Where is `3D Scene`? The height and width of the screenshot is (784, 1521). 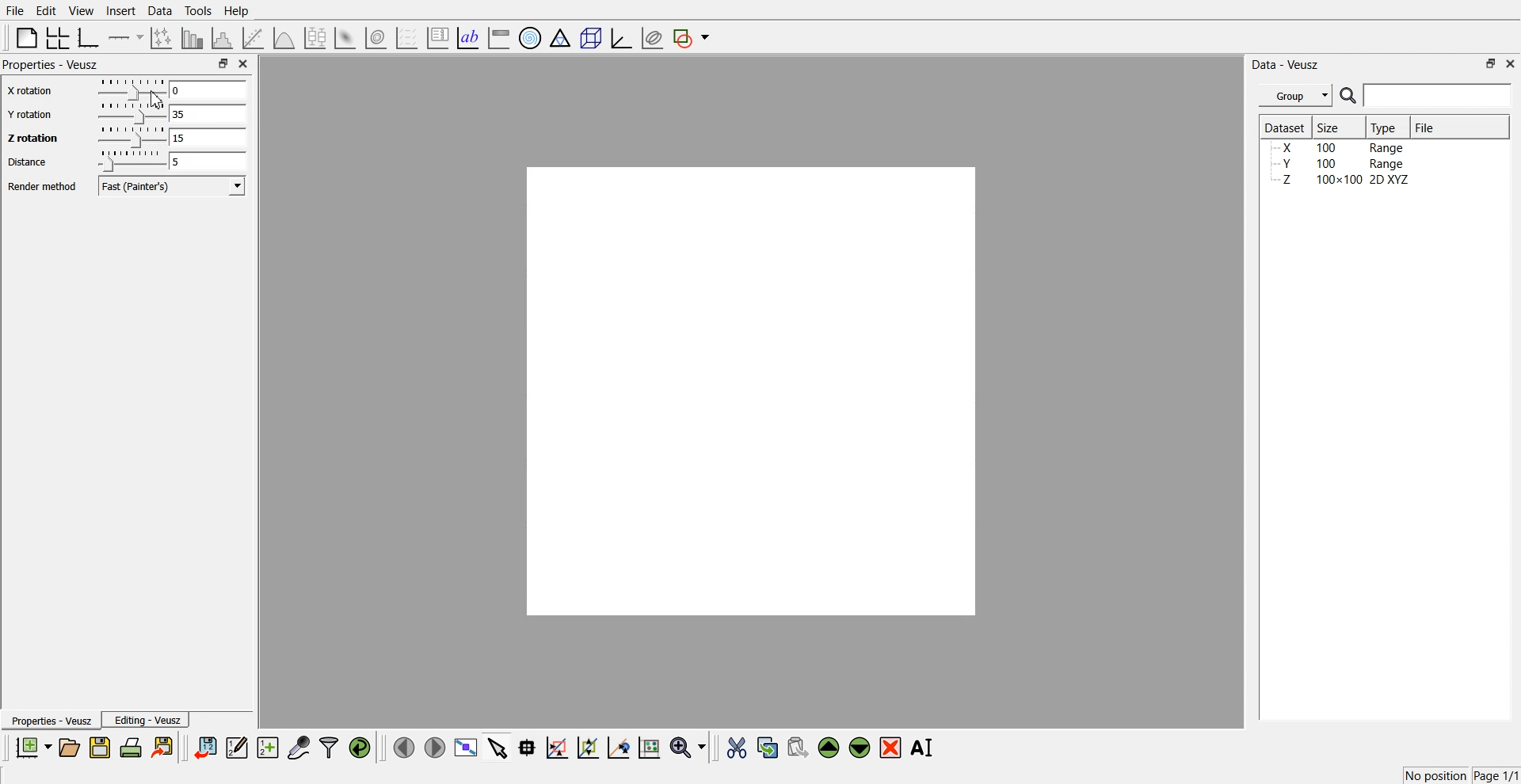 3D Scene is located at coordinates (592, 39).